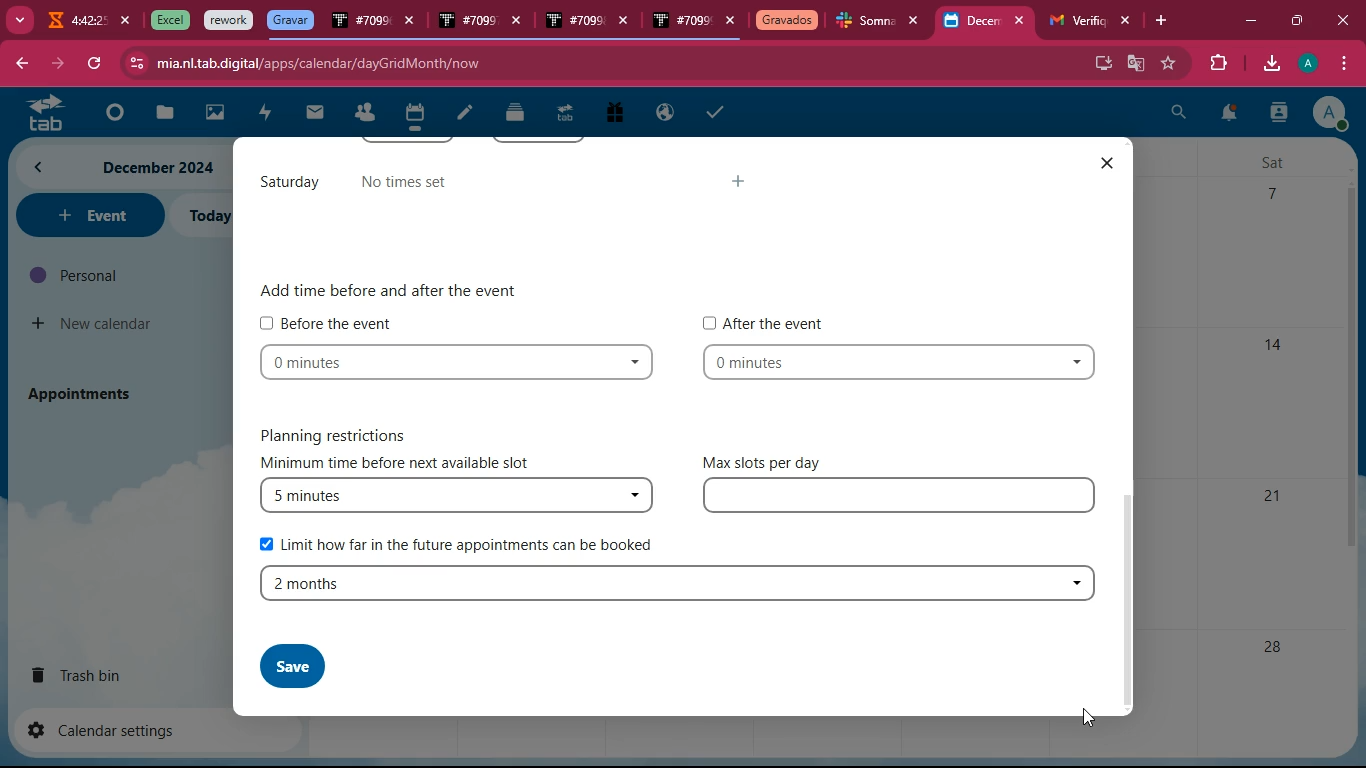 This screenshot has height=768, width=1366. I want to click on Planning restrictions, so click(336, 436).